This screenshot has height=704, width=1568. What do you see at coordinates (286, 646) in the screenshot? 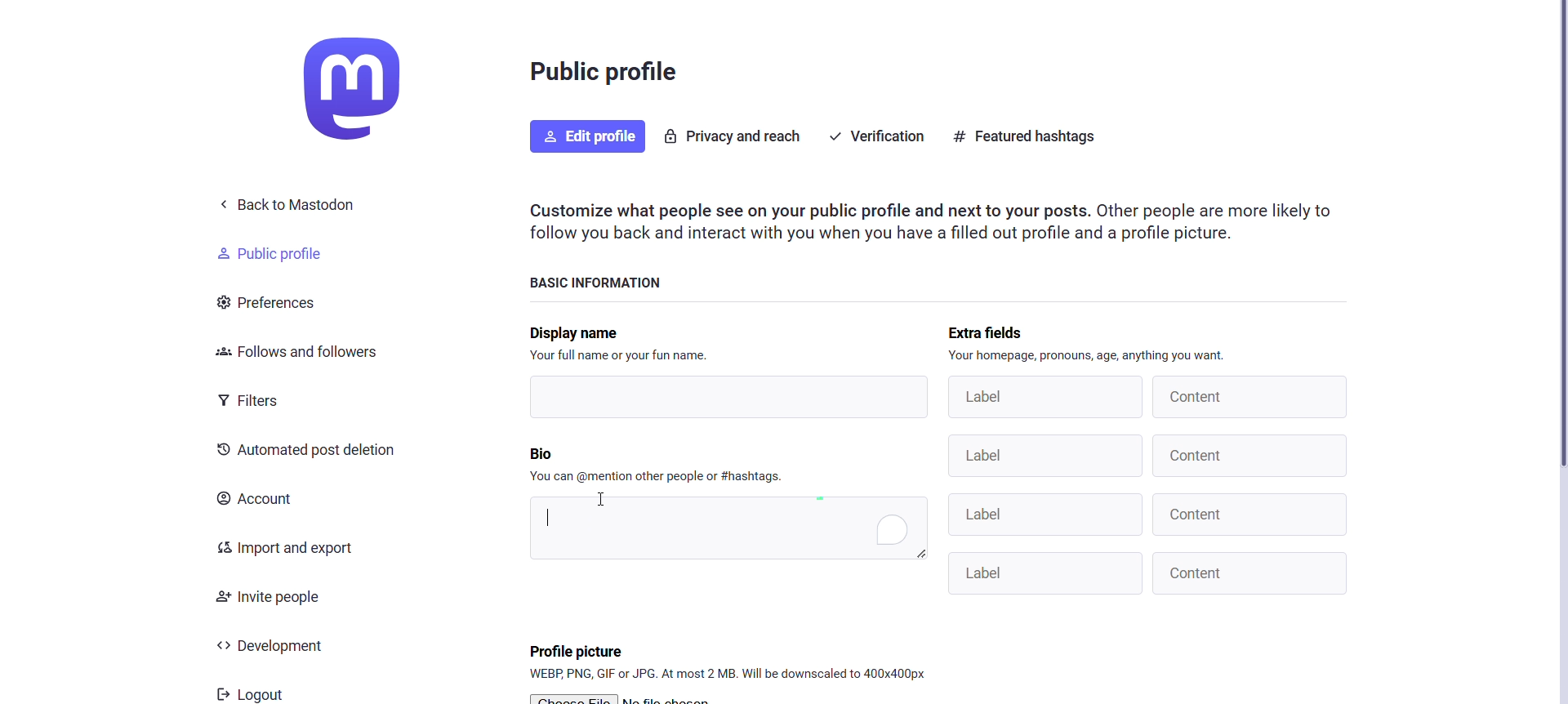
I see `Development` at bounding box center [286, 646].